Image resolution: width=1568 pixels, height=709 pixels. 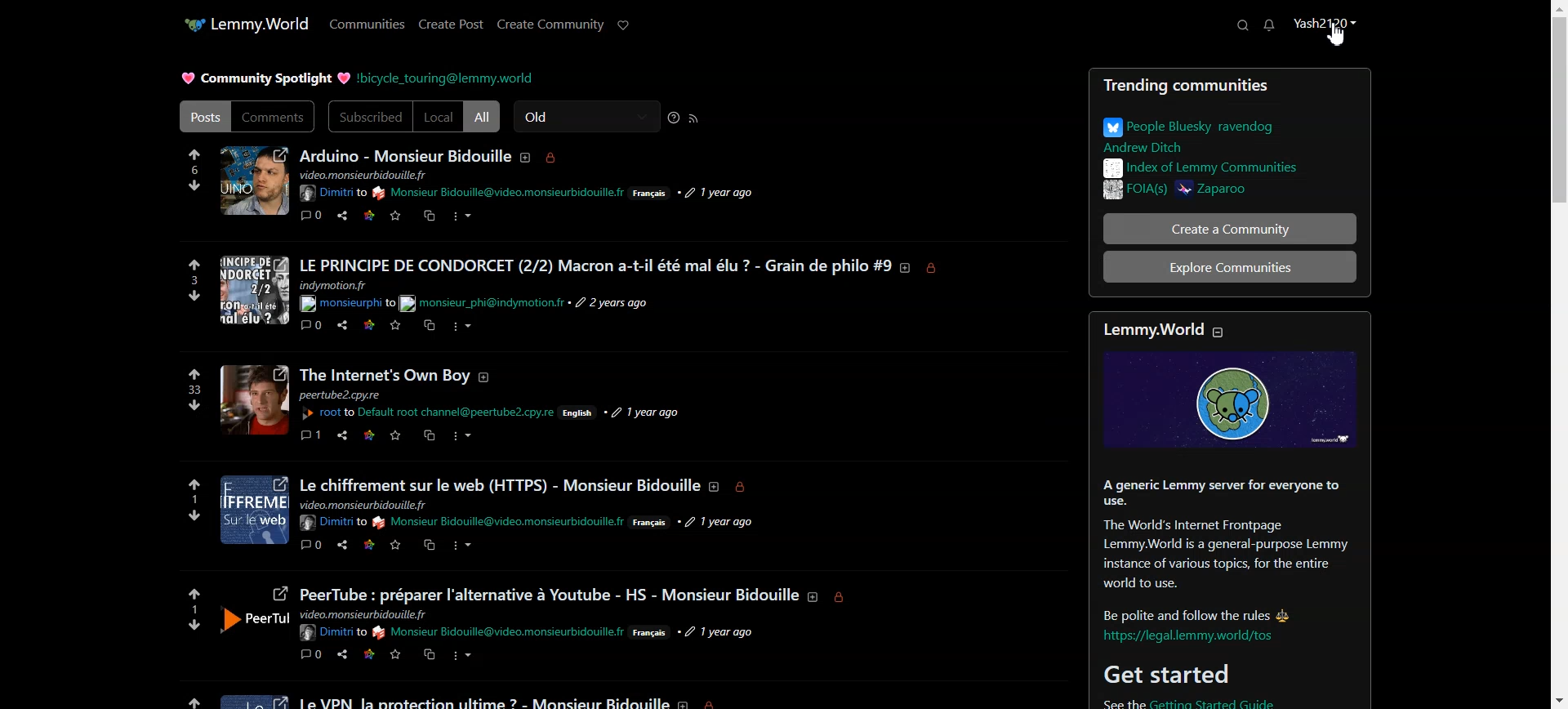 I want to click on Unread Message, so click(x=1269, y=25).